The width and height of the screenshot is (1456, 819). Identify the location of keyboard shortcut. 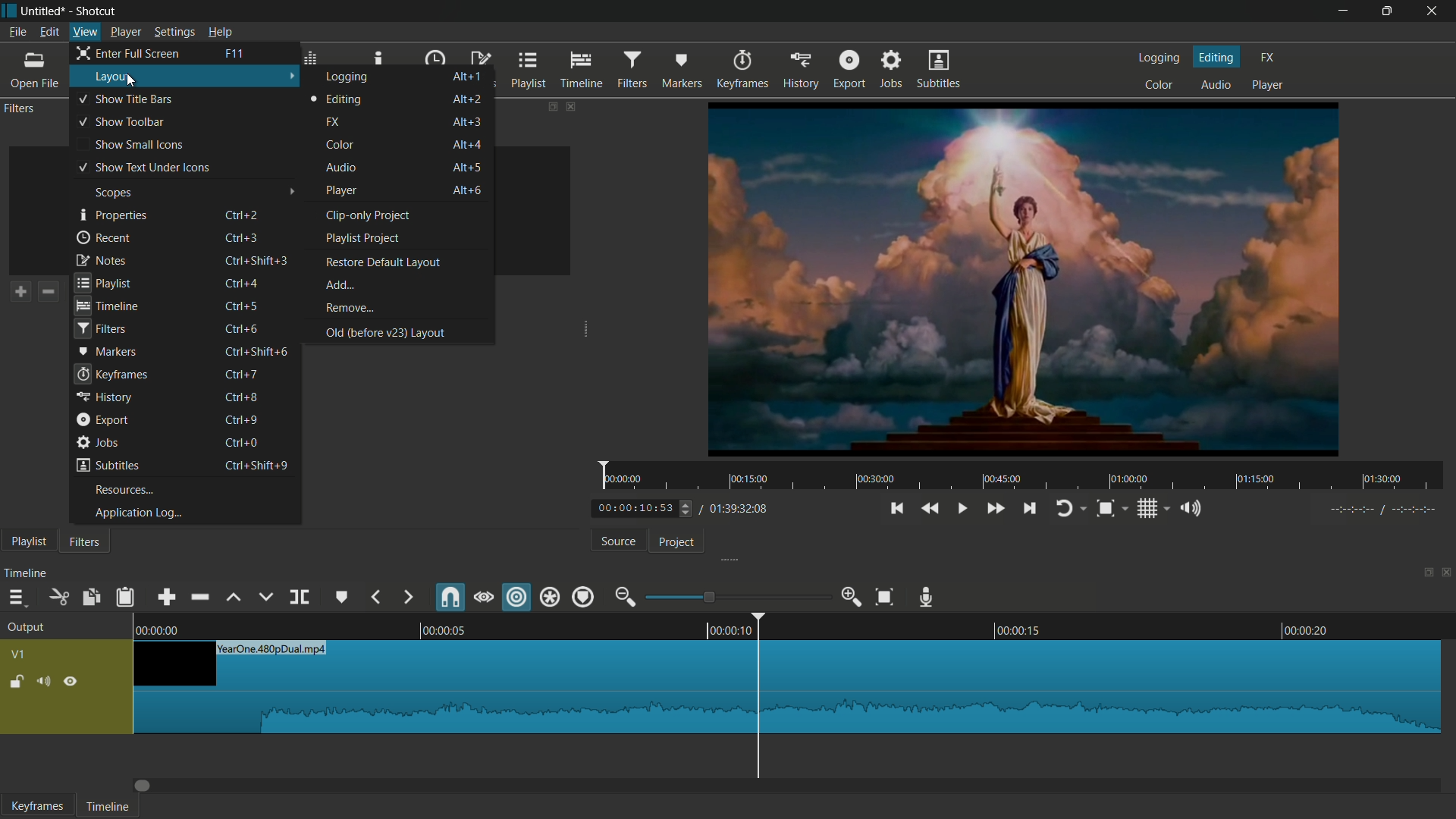
(243, 214).